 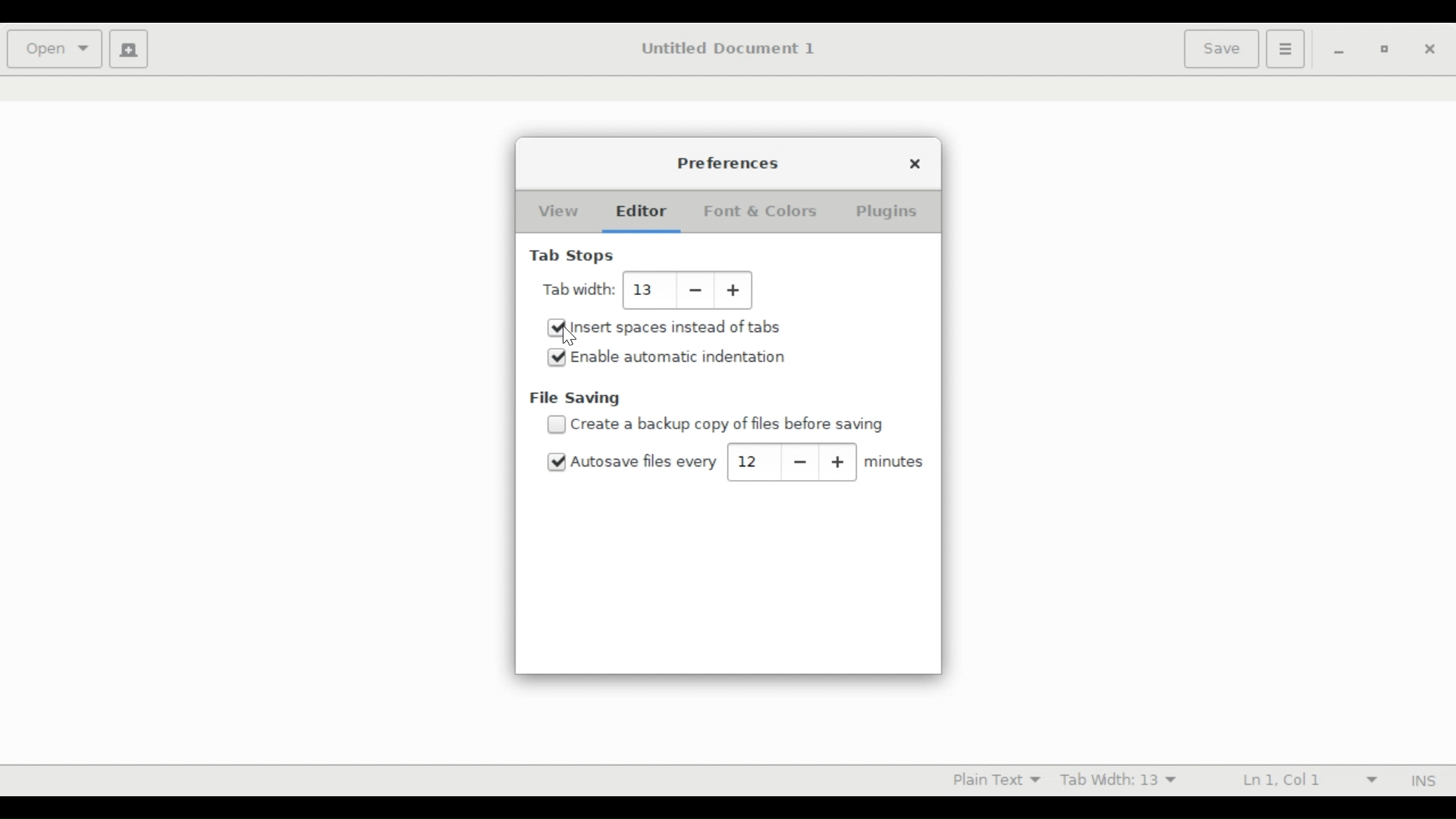 I want to click on Decrease, so click(x=696, y=290).